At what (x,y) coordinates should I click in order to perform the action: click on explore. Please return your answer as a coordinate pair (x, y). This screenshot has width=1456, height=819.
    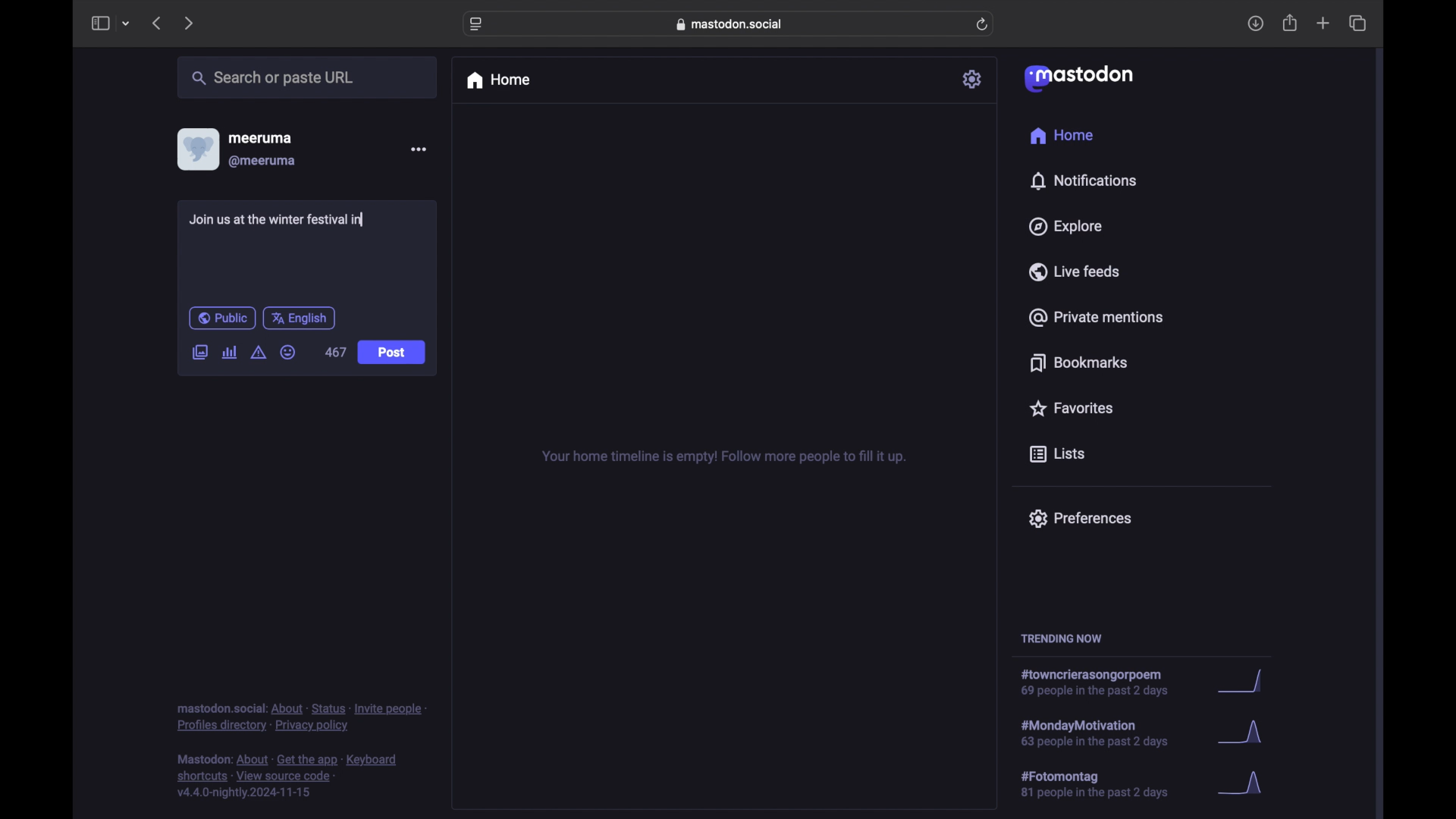
    Looking at the image, I should click on (1064, 227).